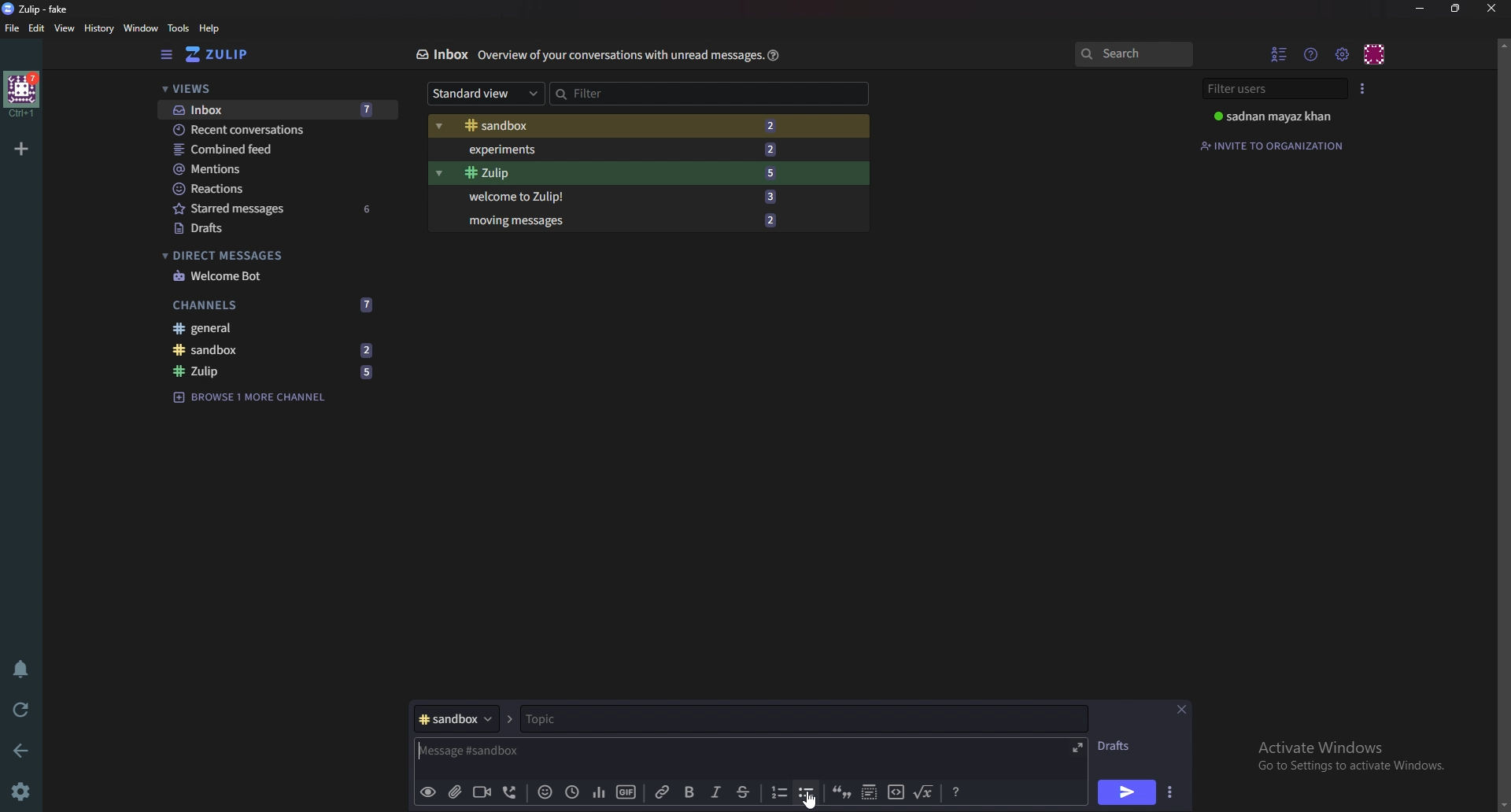  I want to click on Experiments, so click(618, 149).